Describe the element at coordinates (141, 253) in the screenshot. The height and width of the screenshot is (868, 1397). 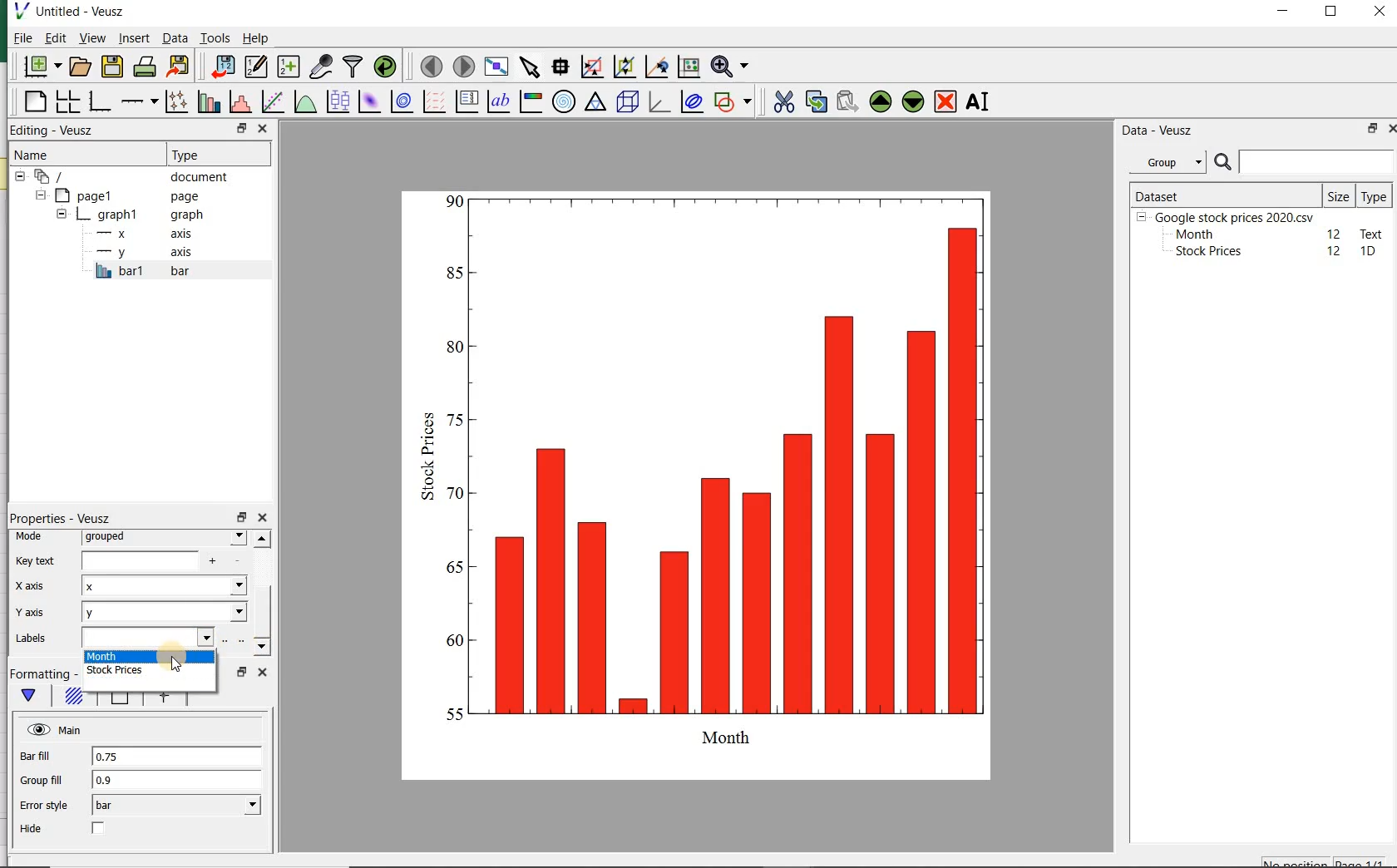
I see `y-axis` at that location.